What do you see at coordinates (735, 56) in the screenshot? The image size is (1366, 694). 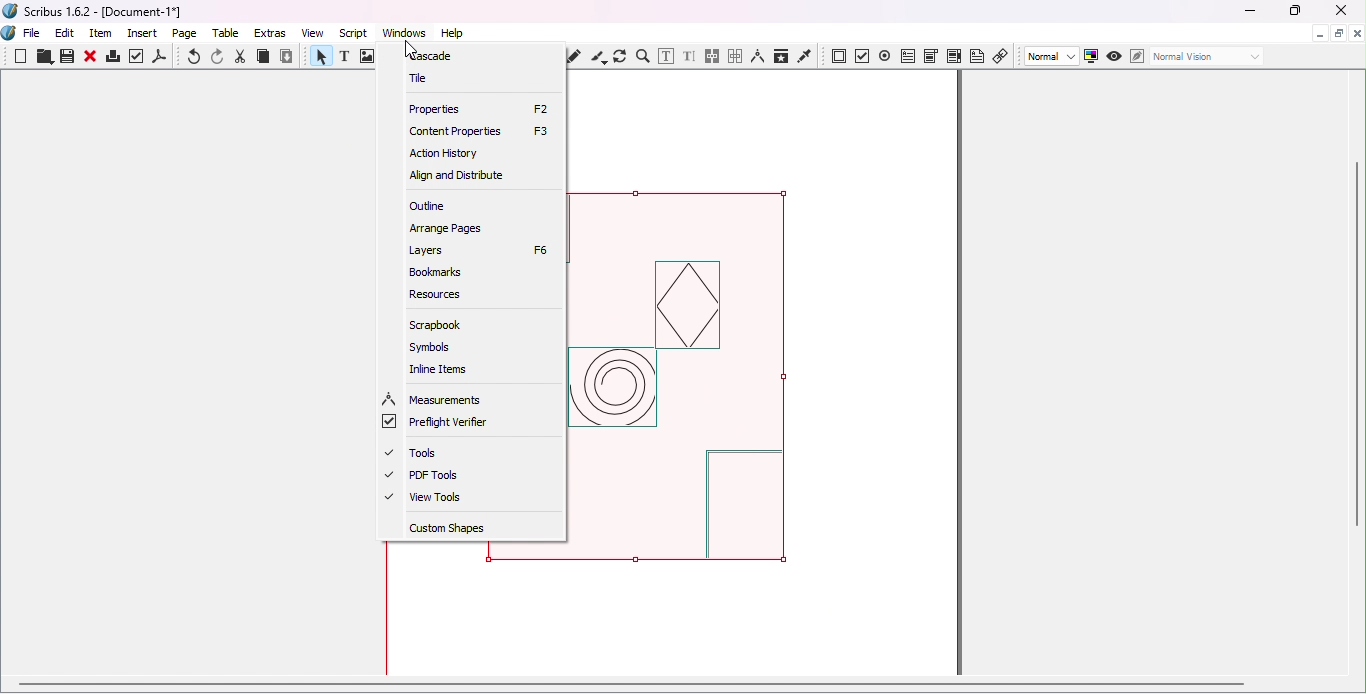 I see `Unlink text frames` at bounding box center [735, 56].